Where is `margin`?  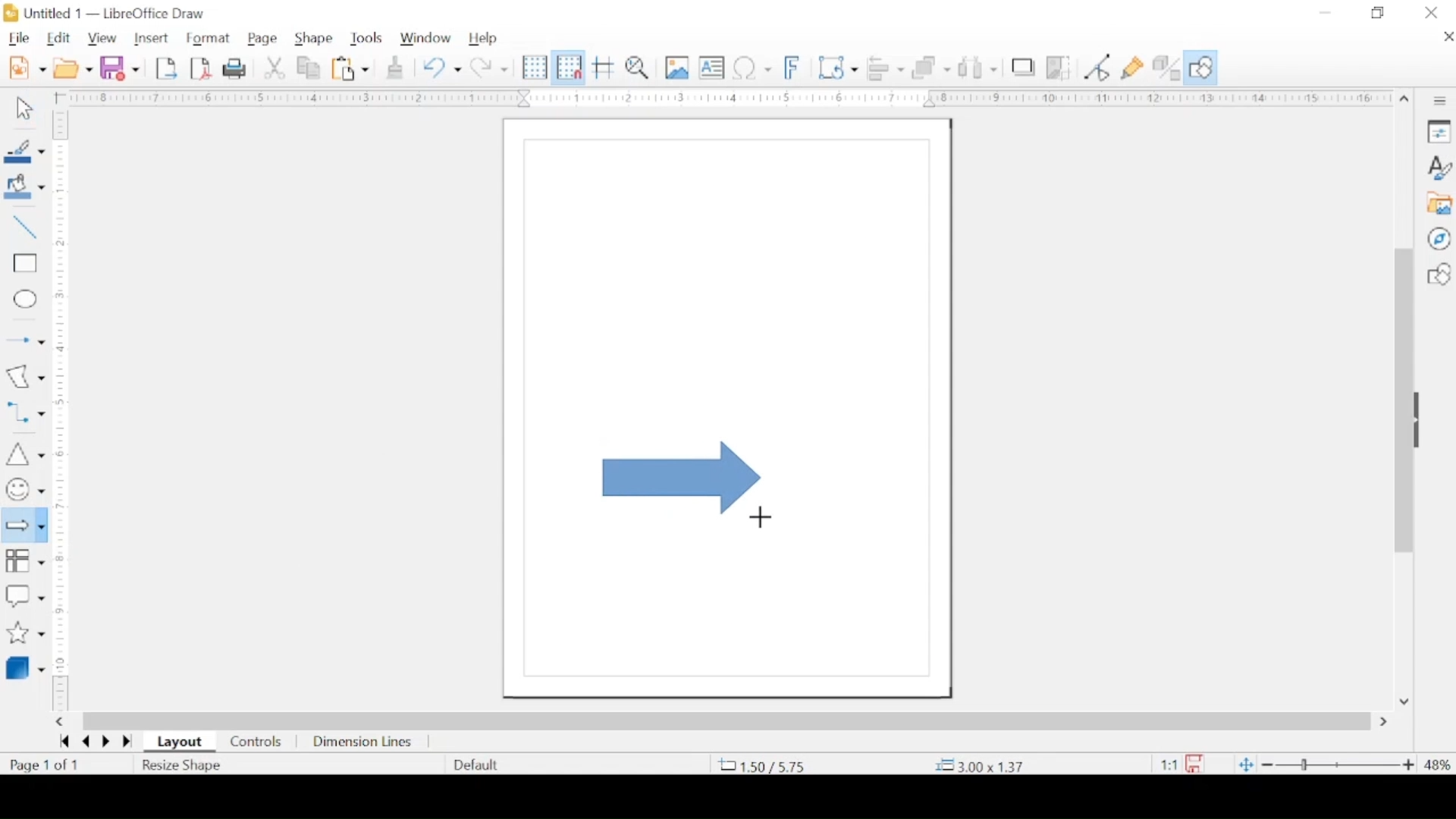 margin is located at coordinates (61, 638).